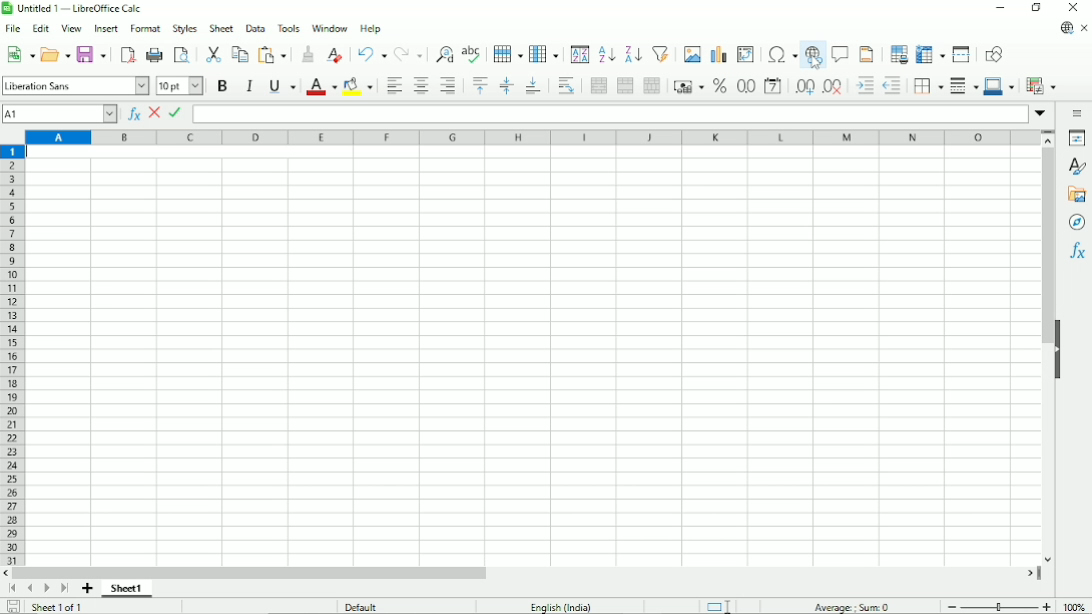 The image size is (1092, 614). What do you see at coordinates (282, 86) in the screenshot?
I see `Underline` at bounding box center [282, 86].